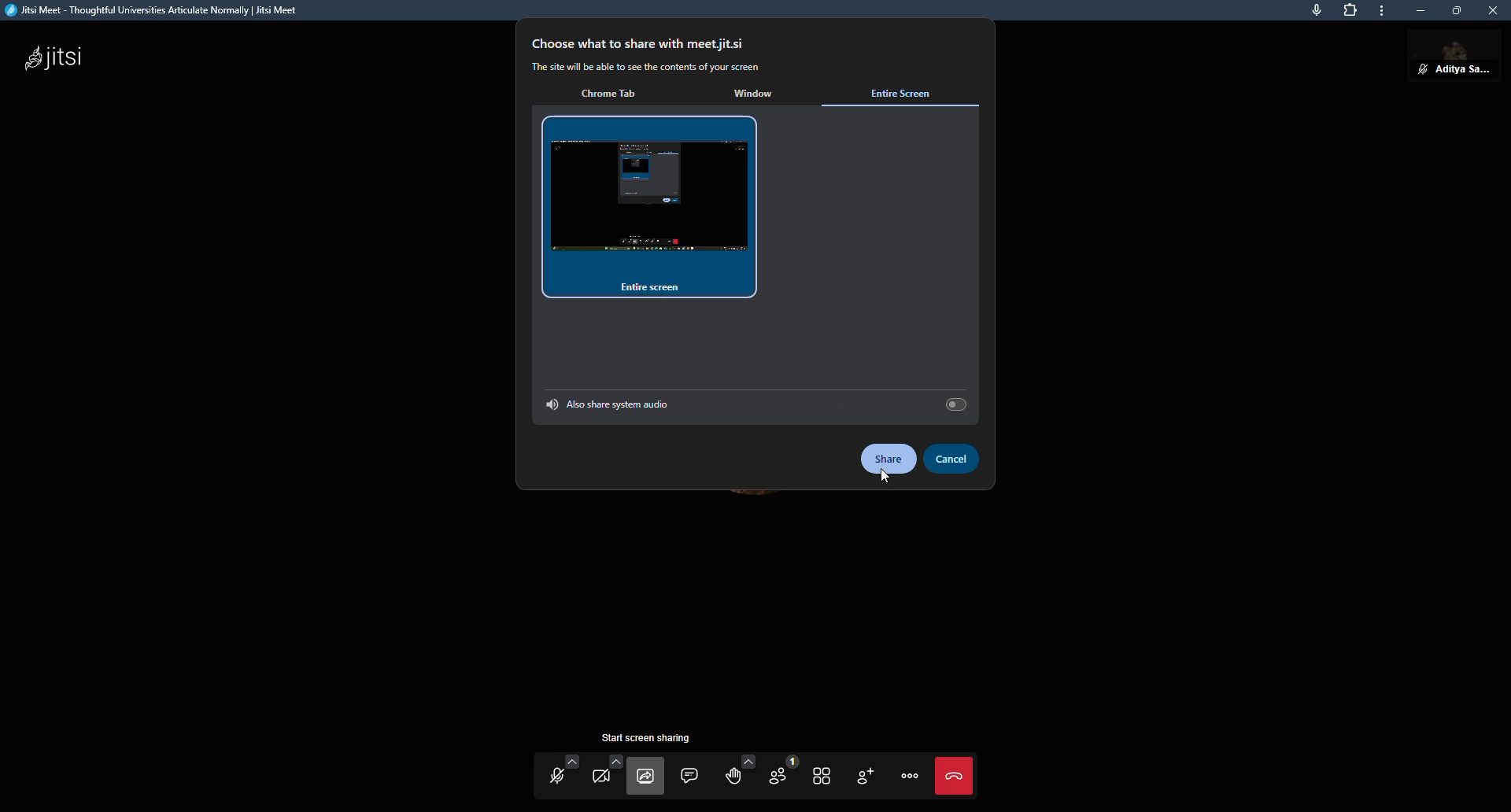  I want to click on entire screen, so click(656, 287).